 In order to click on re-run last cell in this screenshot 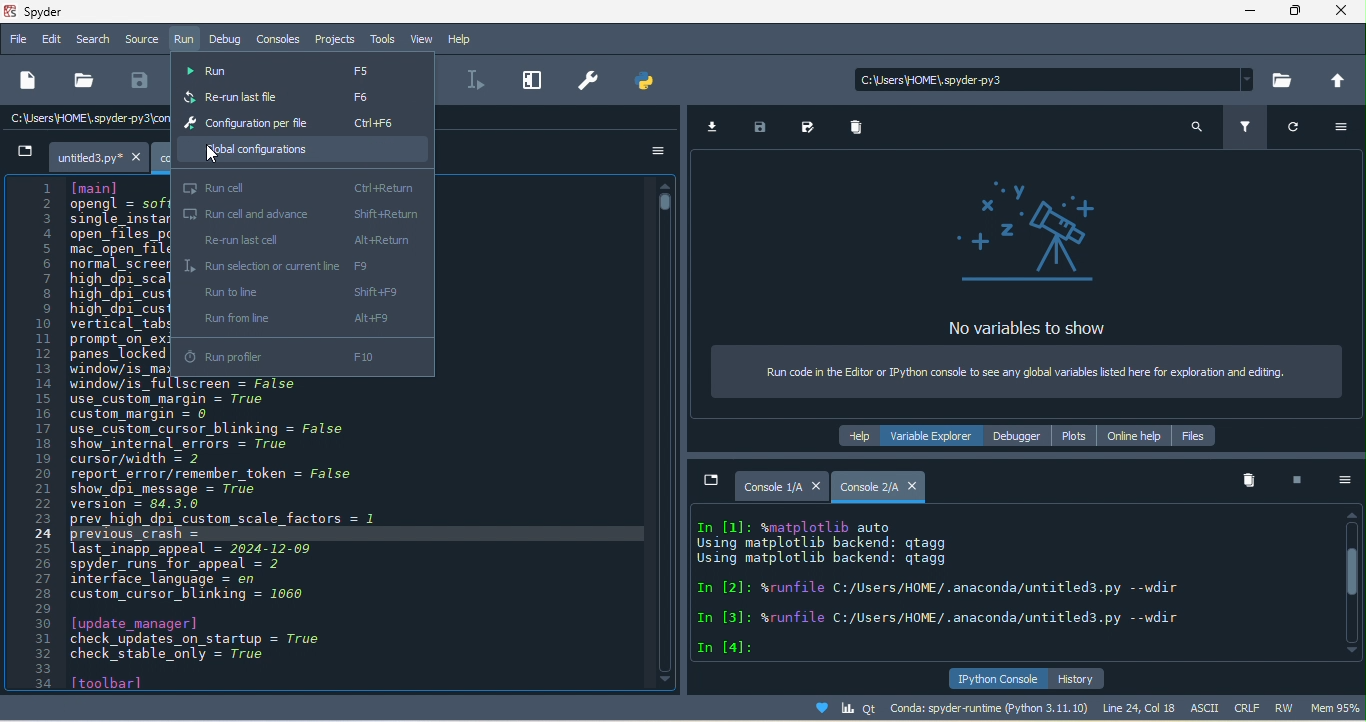, I will do `click(298, 239)`.